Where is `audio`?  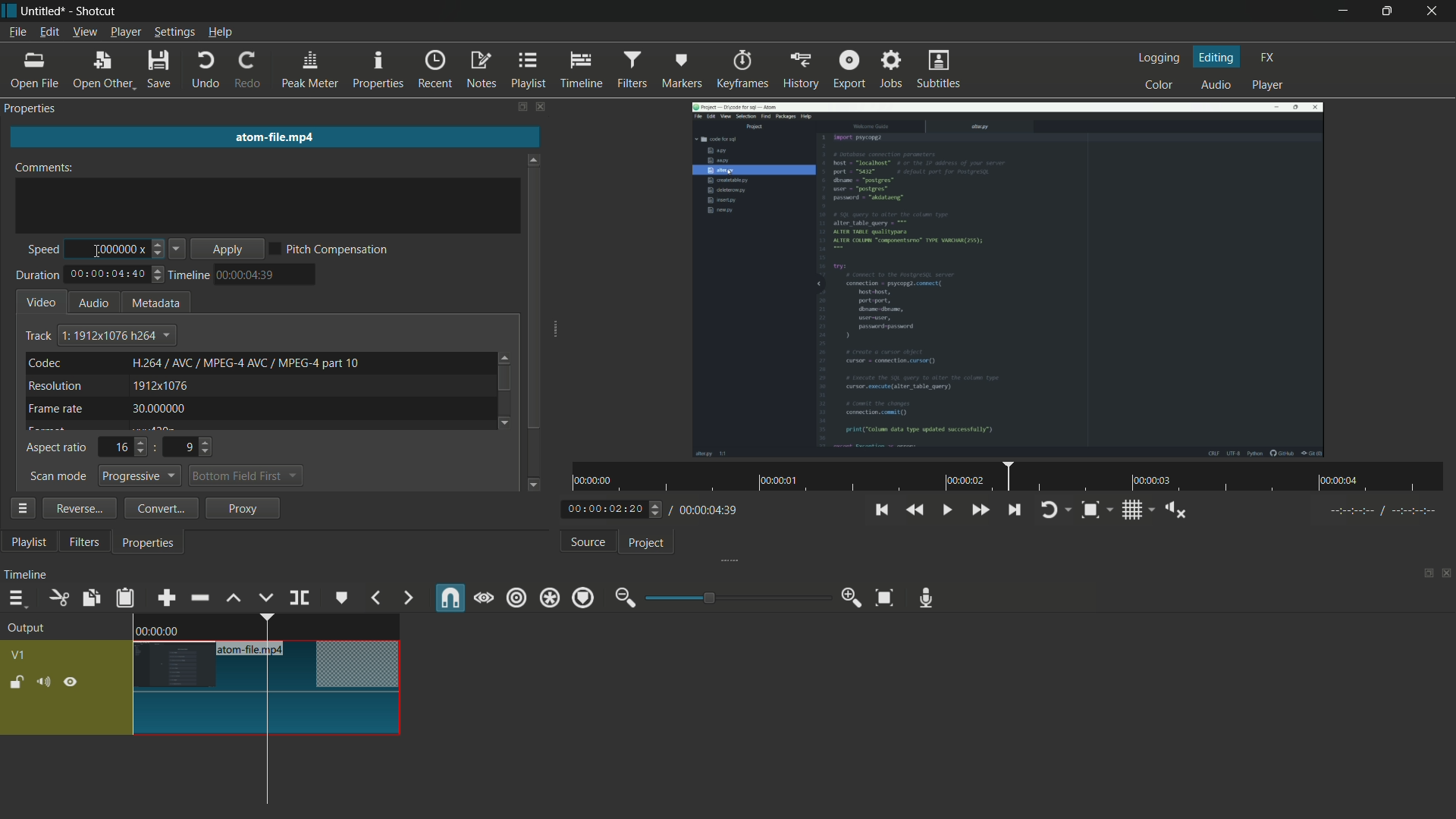
audio is located at coordinates (1217, 83).